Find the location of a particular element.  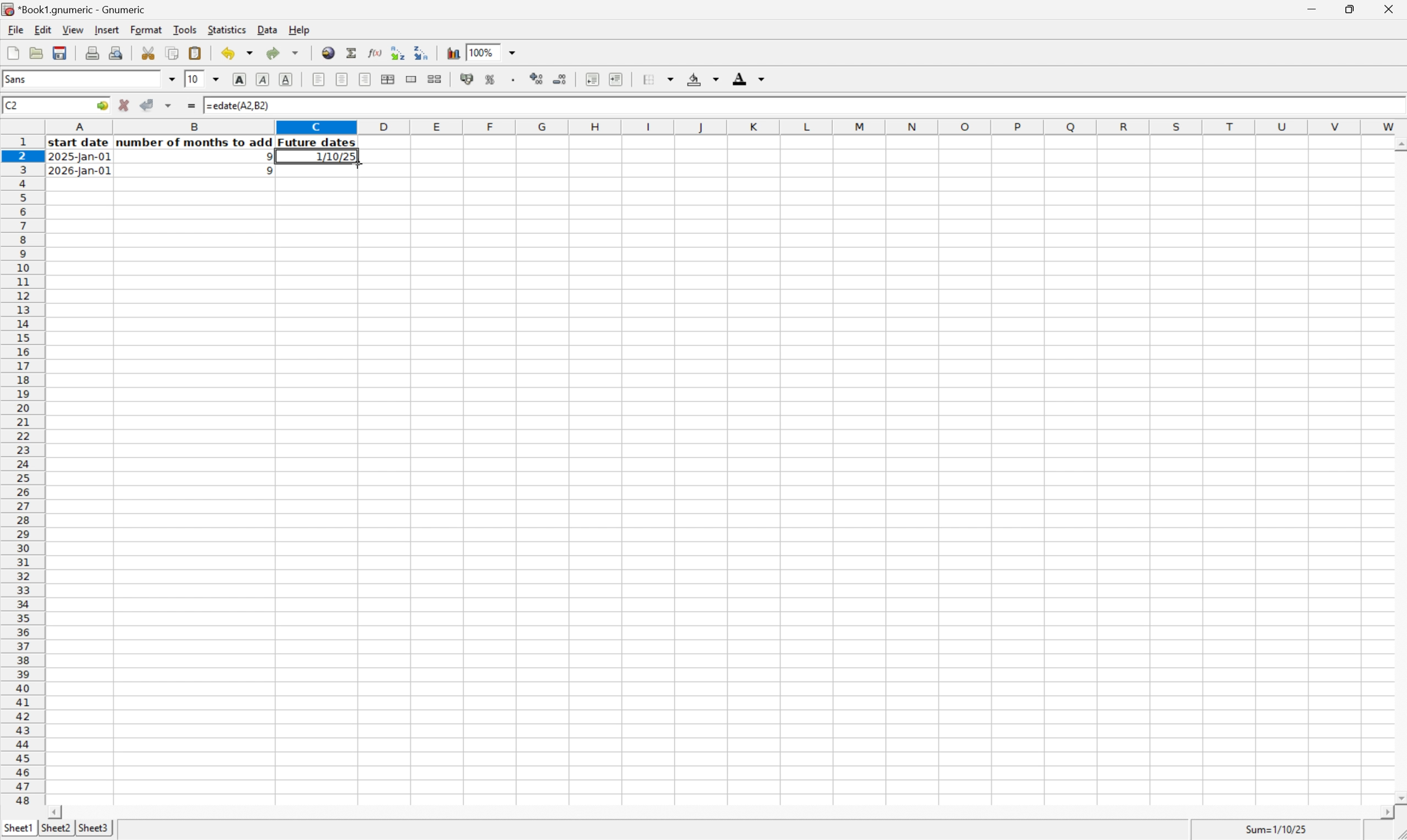

Scroll Down is located at coordinates (1398, 796).